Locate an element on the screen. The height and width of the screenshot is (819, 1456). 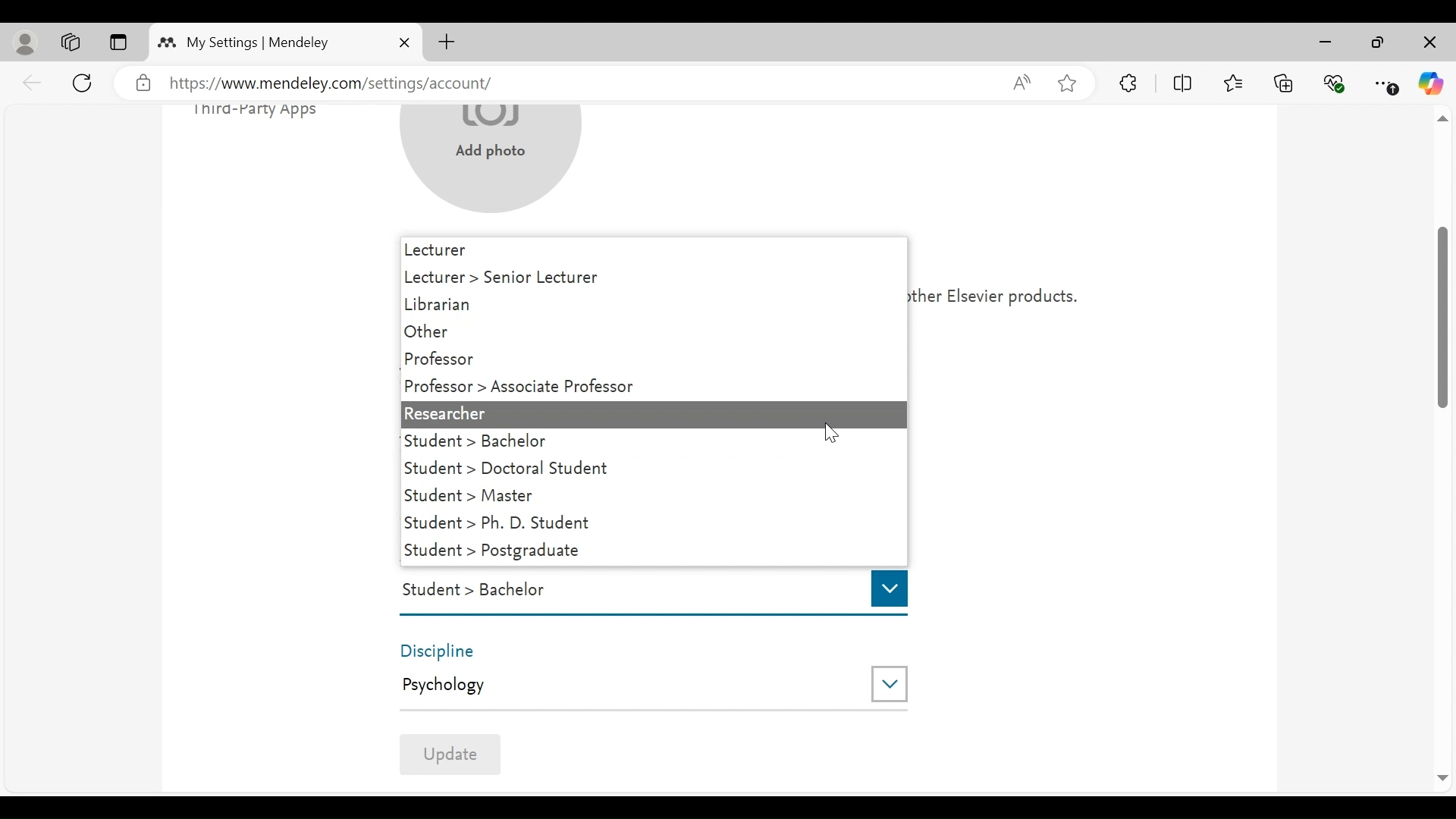
Extensions is located at coordinates (1129, 83).